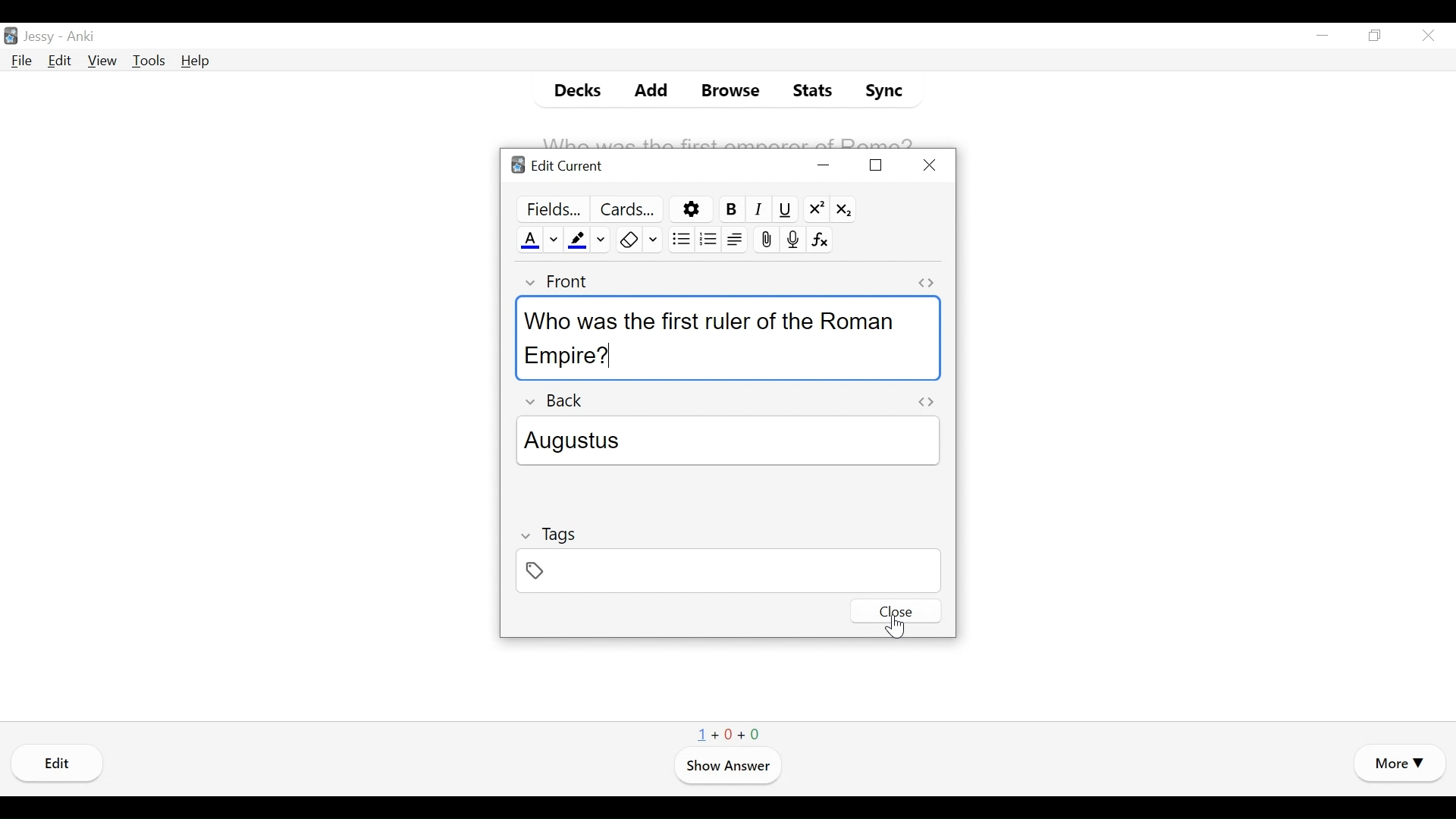 This screenshot has height=819, width=1456. What do you see at coordinates (602, 238) in the screenshot?
I see `Change color` at bounding box center [602, 238].